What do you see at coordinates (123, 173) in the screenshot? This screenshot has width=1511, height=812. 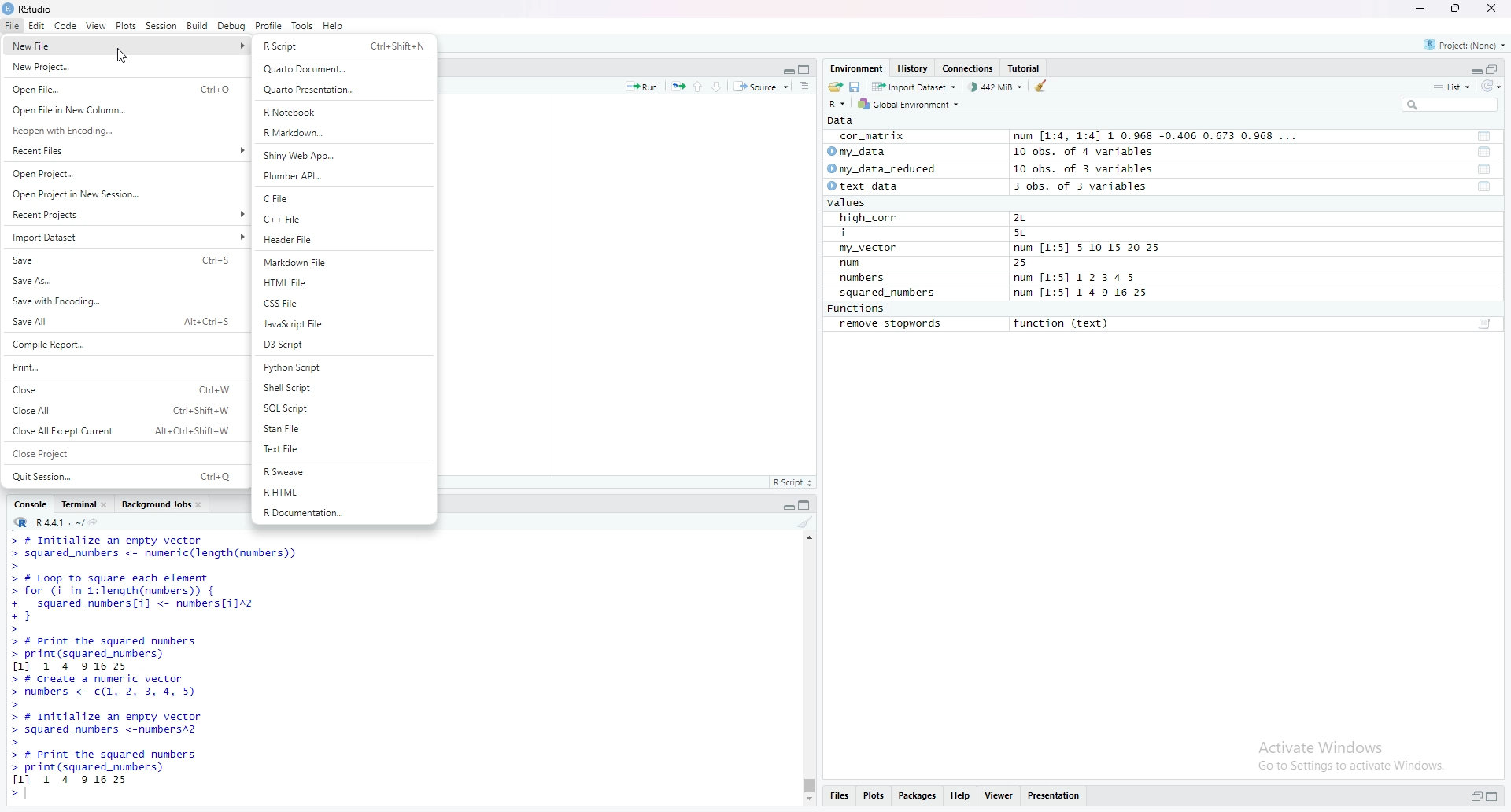 I see `Open Project.` at bounding box center [123, 173].